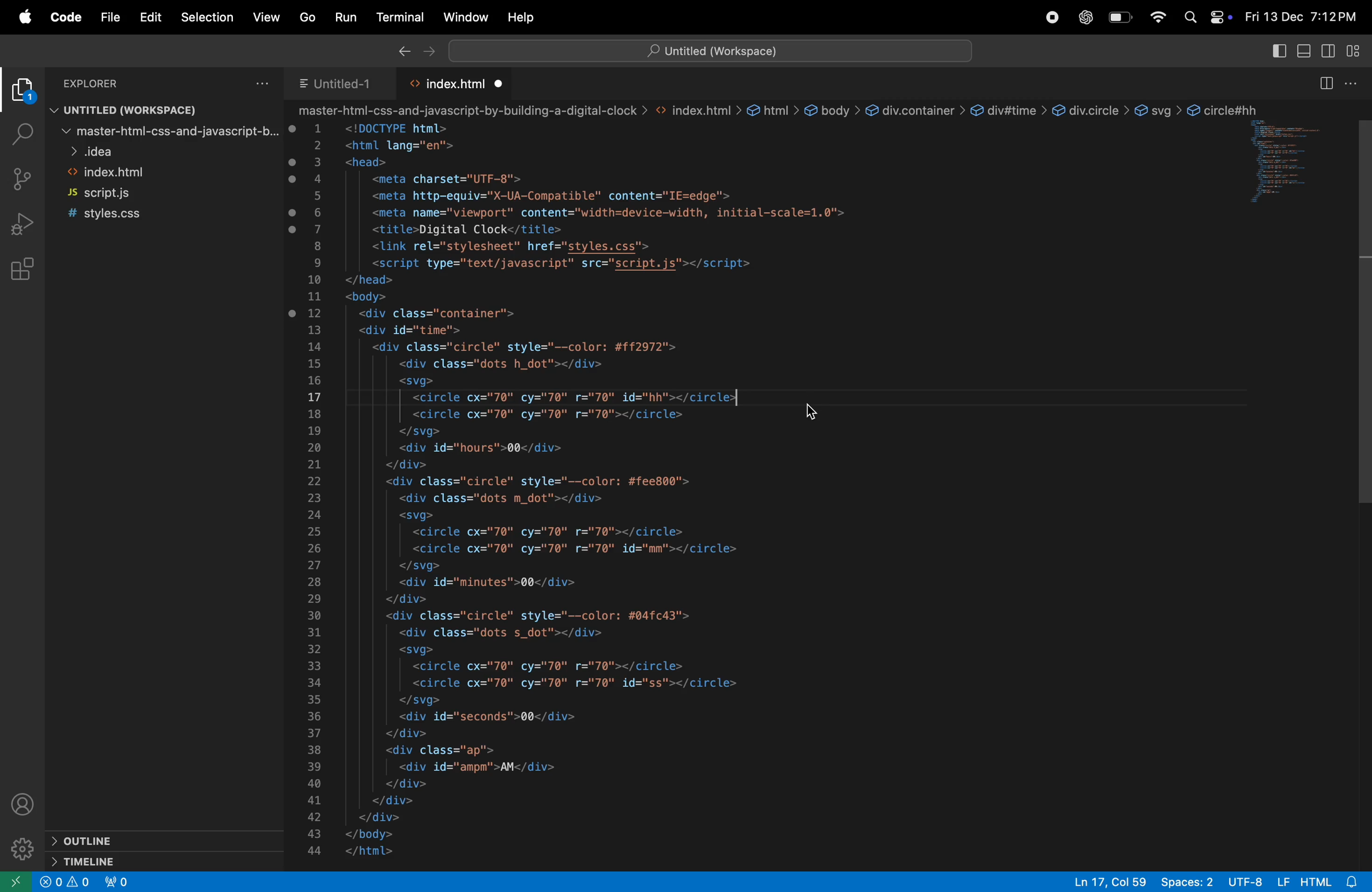 This screenshot has height=892, width=1372. What do you see at coordinates (1189, 882) in the screenshot?
I see `spaces 2` at bounding box center [1189, 882].